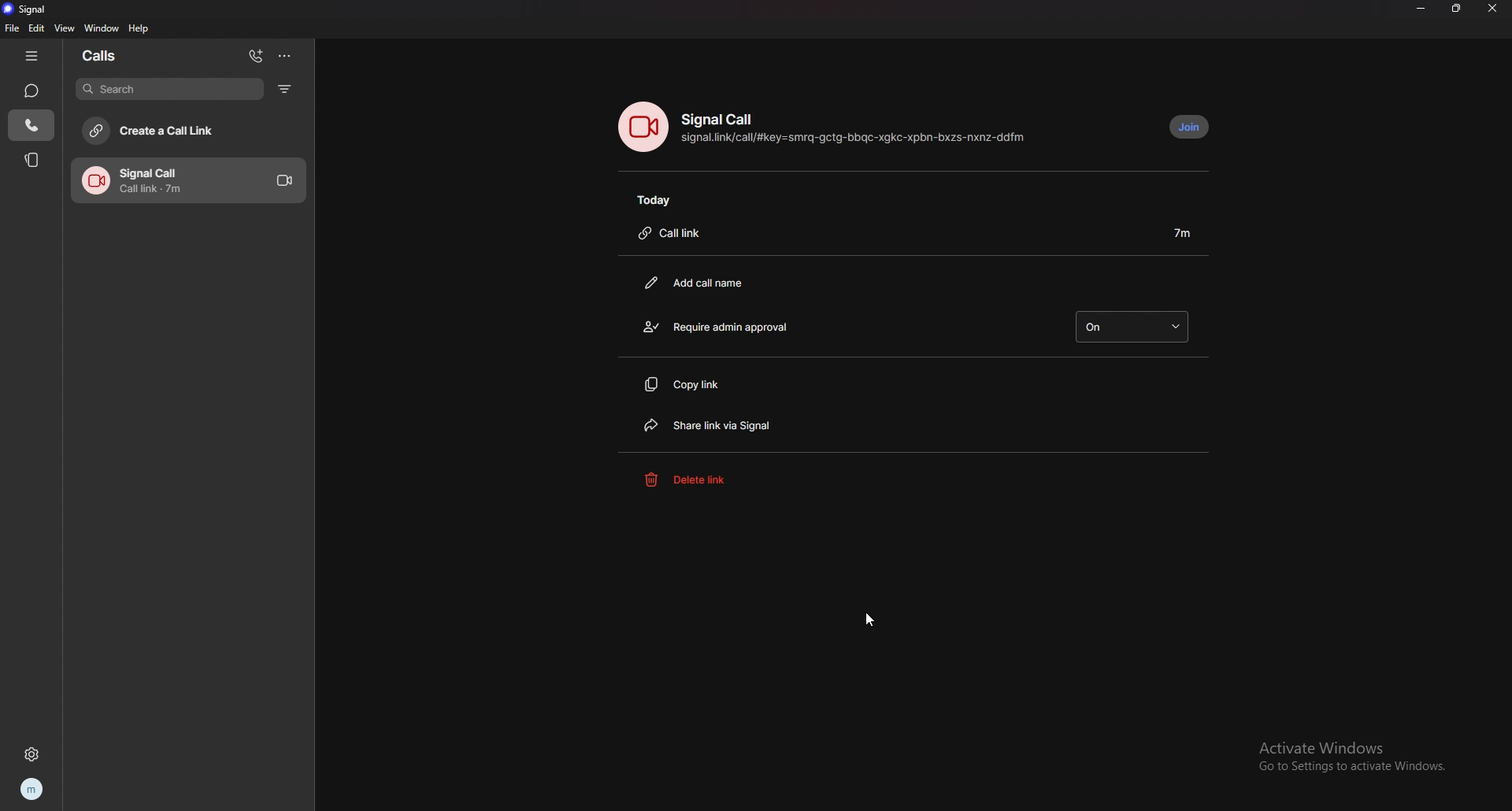  I want to click on resize, so click(1458, 8).